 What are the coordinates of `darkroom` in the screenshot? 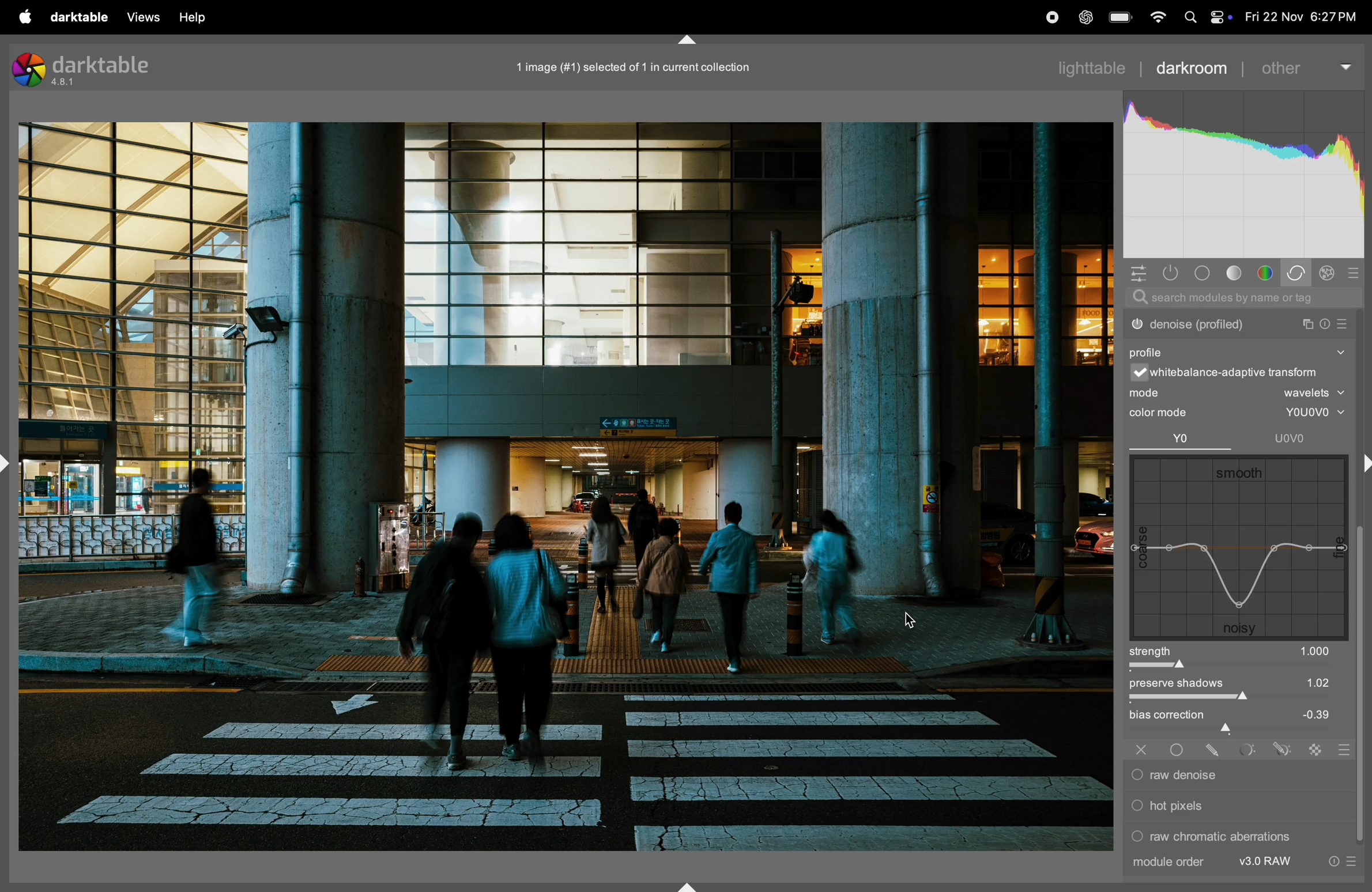 It's located at (1195, 70).